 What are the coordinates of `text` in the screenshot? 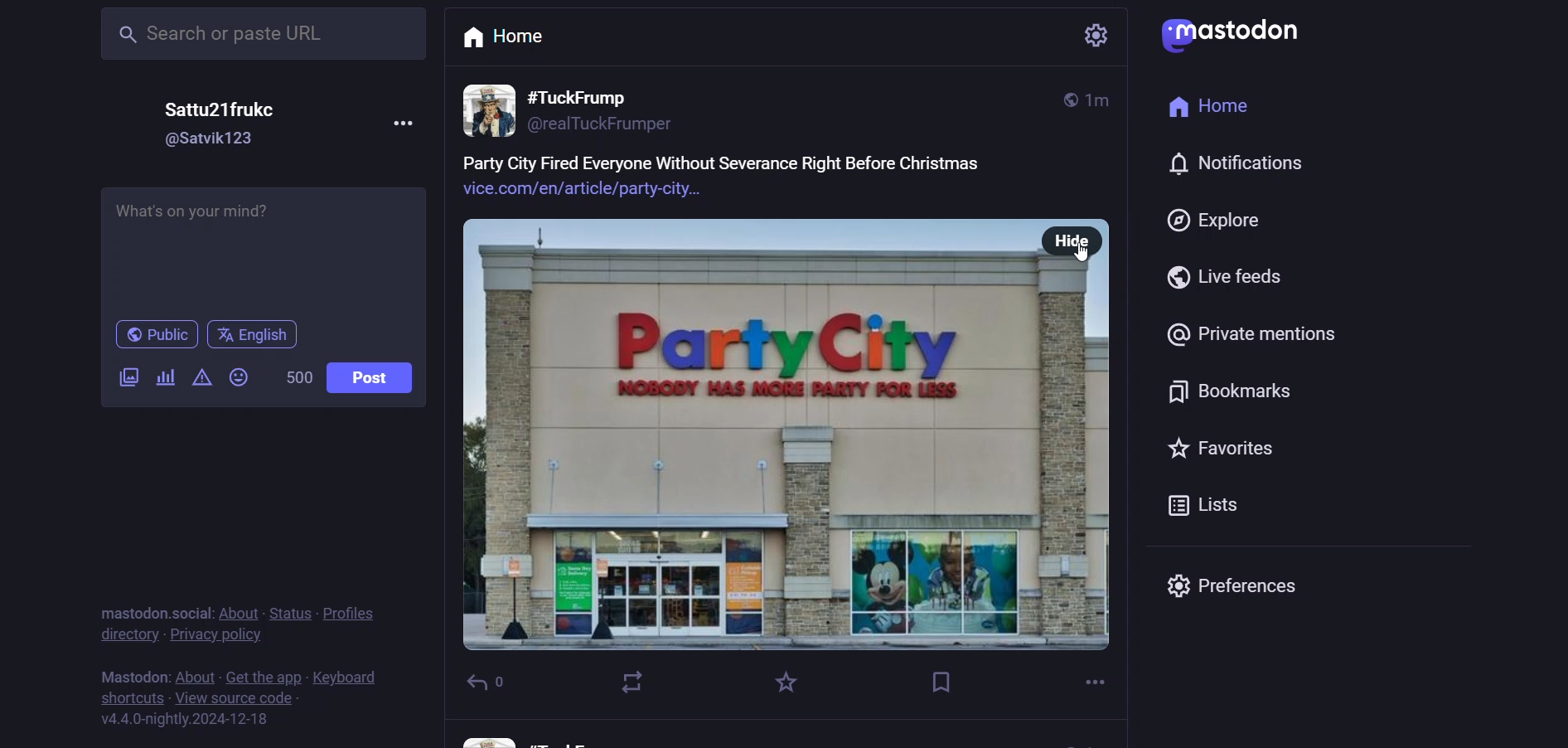 It's located at (149, 607).